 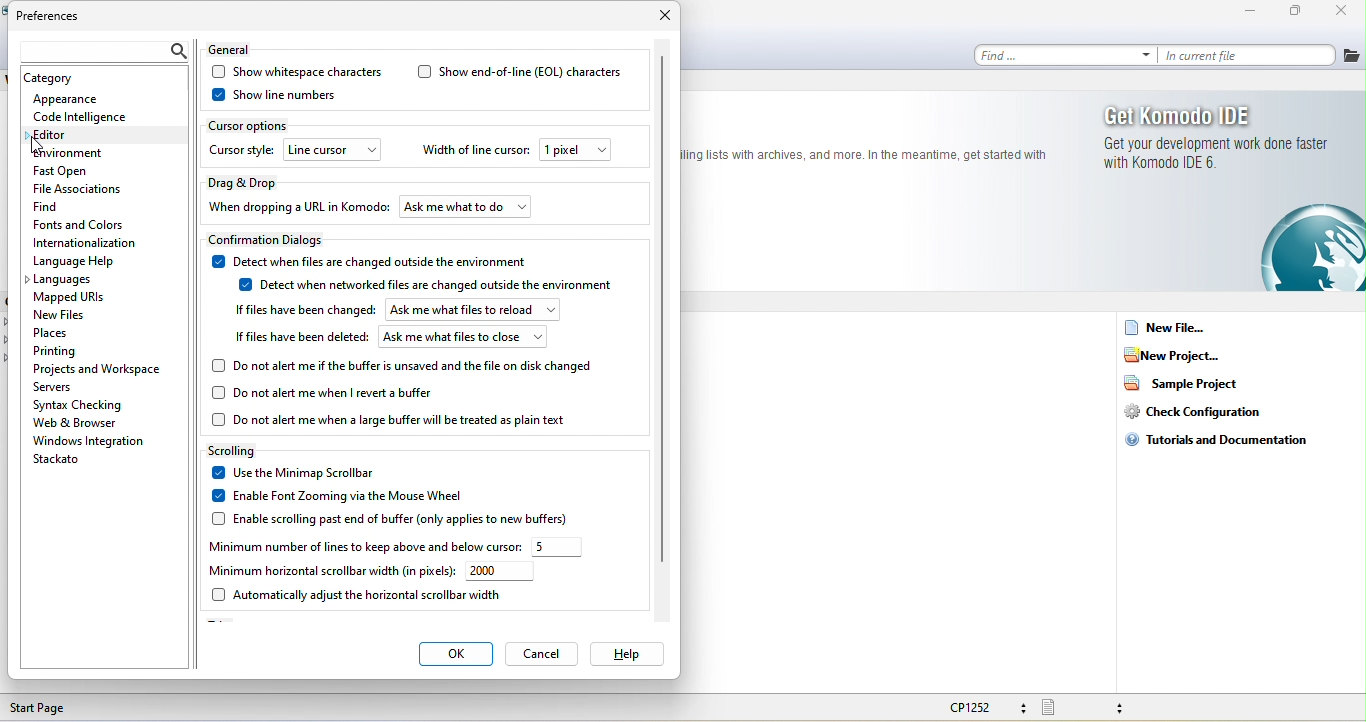 I want to click on do not alert me when a large buffer will be treated as plain text, so click(x=393, y=420).